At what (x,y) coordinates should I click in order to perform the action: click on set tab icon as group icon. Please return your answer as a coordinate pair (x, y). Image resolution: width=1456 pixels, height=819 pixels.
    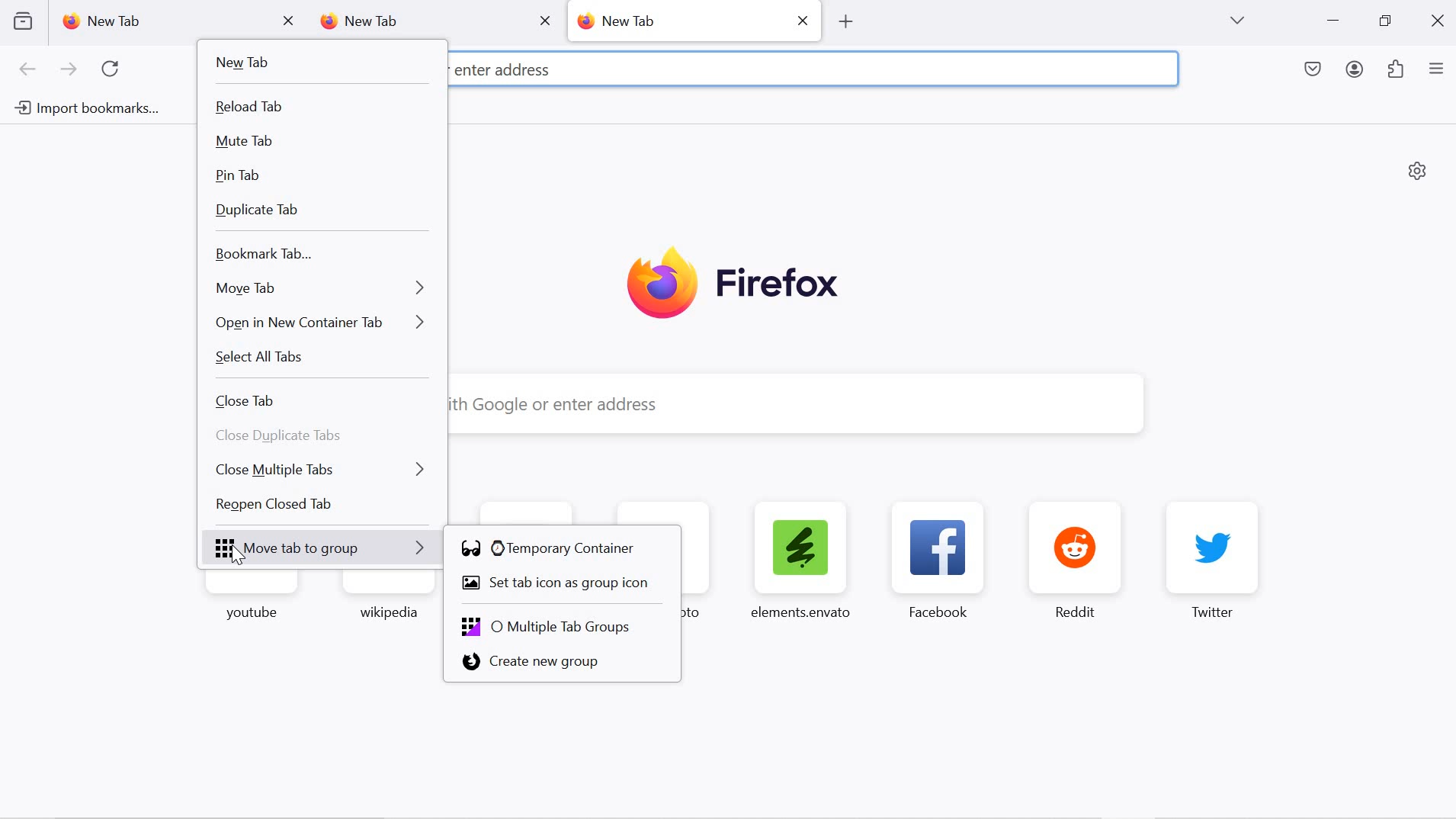
    Looking at the image, I should click on (564, 585).